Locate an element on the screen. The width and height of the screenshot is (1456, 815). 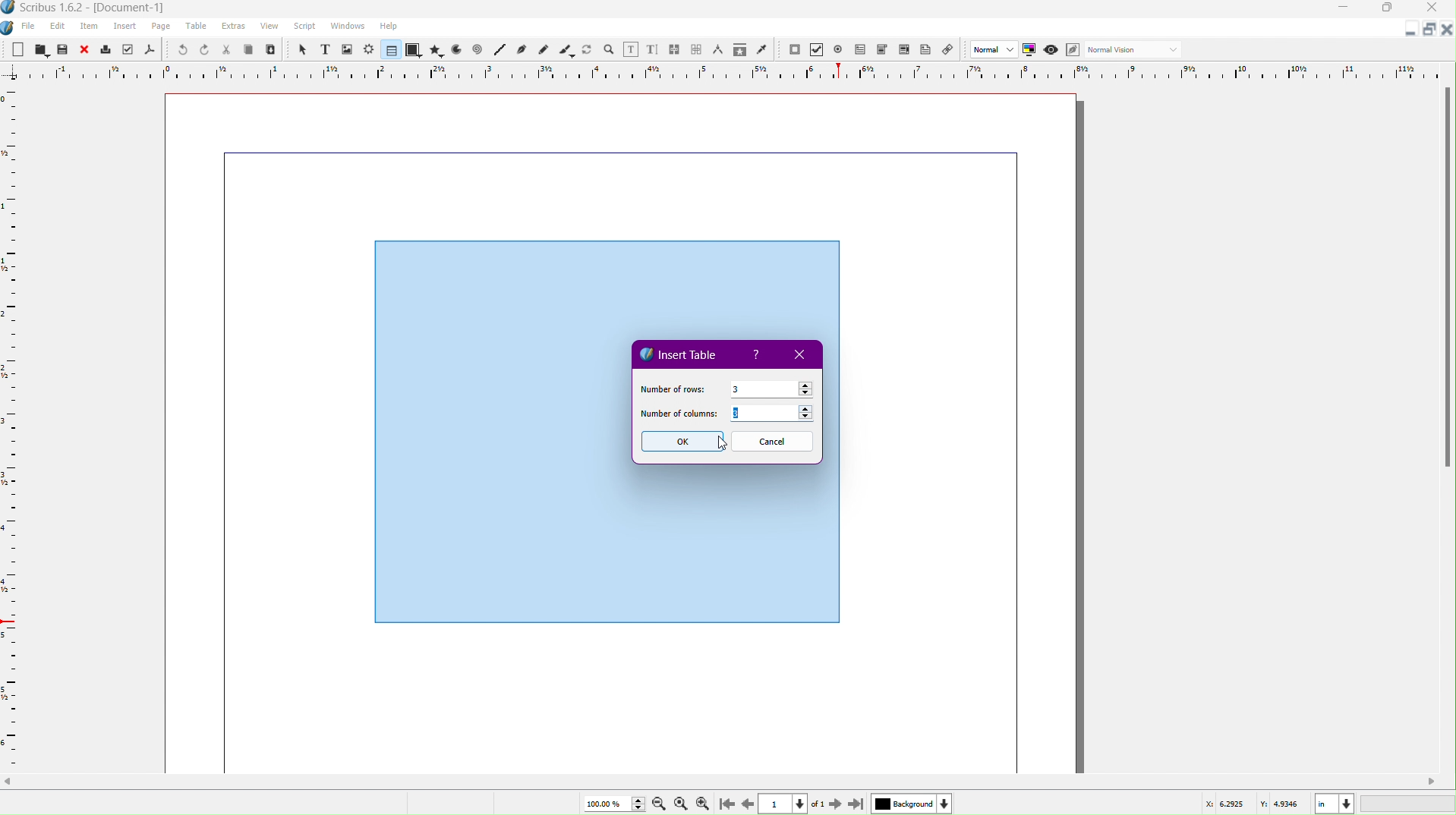
Cursor is located at coordinates (712, 444).